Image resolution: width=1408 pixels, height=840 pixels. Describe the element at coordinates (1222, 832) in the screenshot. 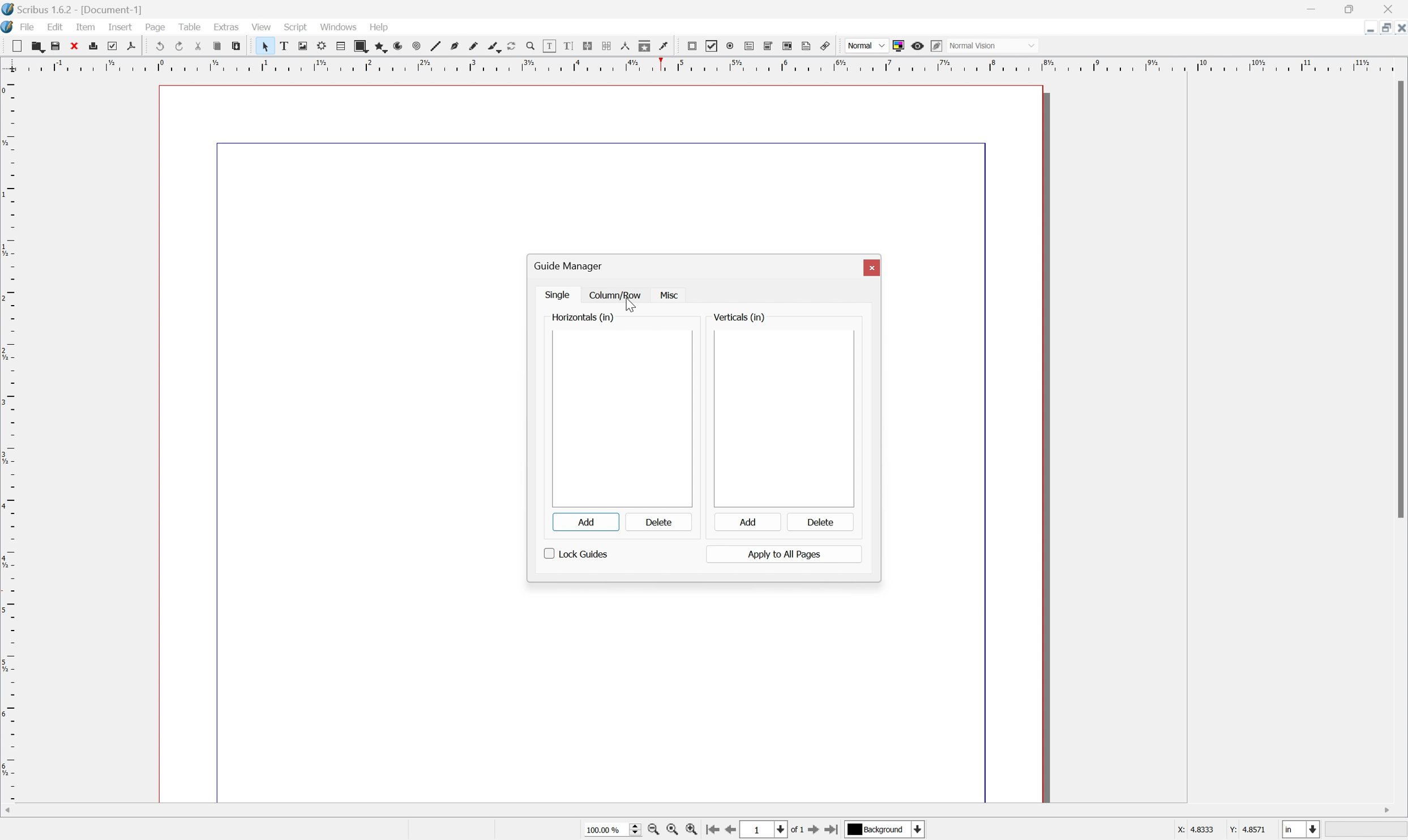

I see `coordinates` at that location.